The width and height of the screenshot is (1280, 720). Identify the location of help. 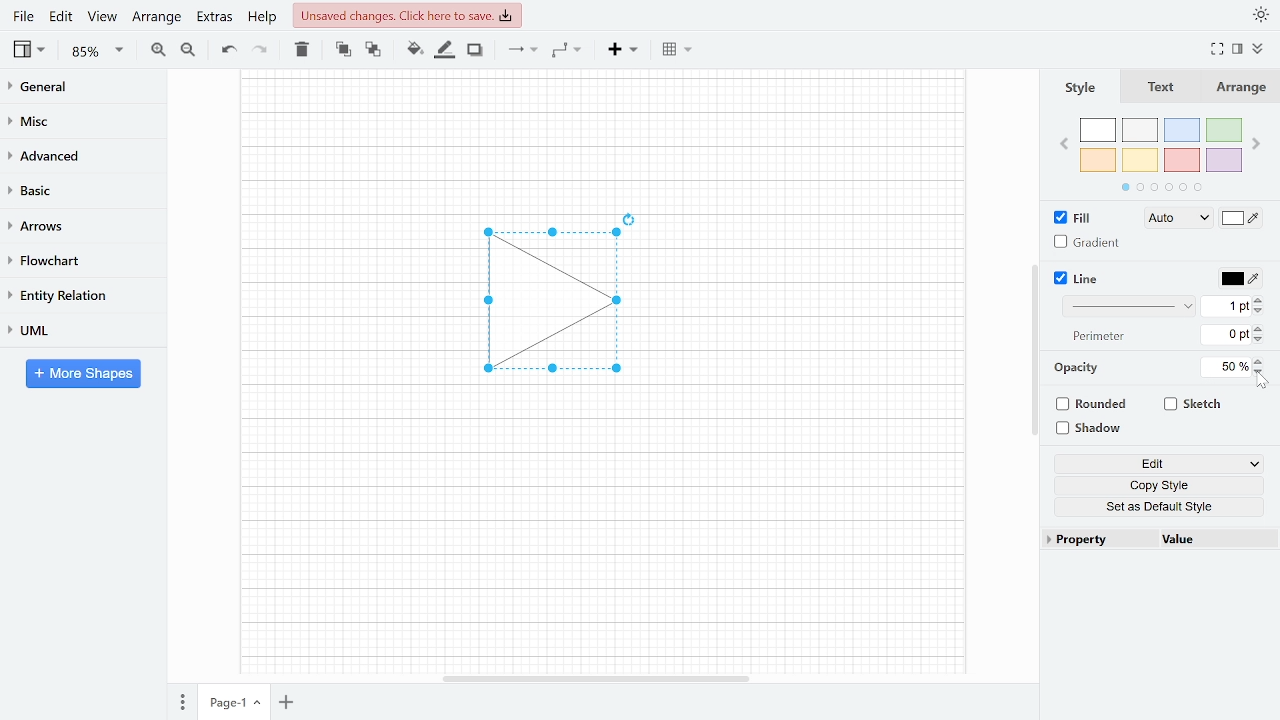
(264, 16).